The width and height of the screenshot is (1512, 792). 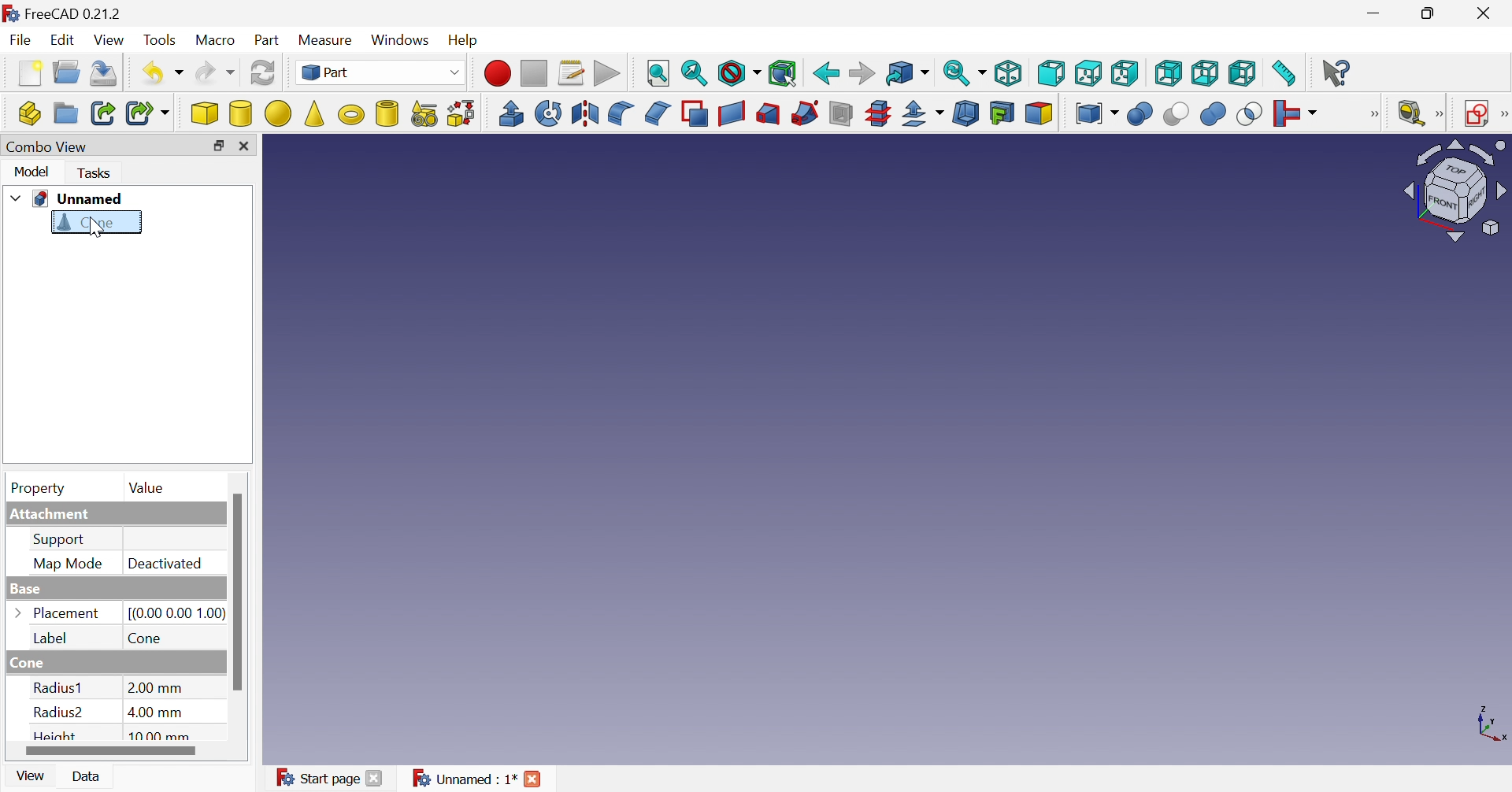 I want to click on [Boolean], so click(x=1378, y=116).